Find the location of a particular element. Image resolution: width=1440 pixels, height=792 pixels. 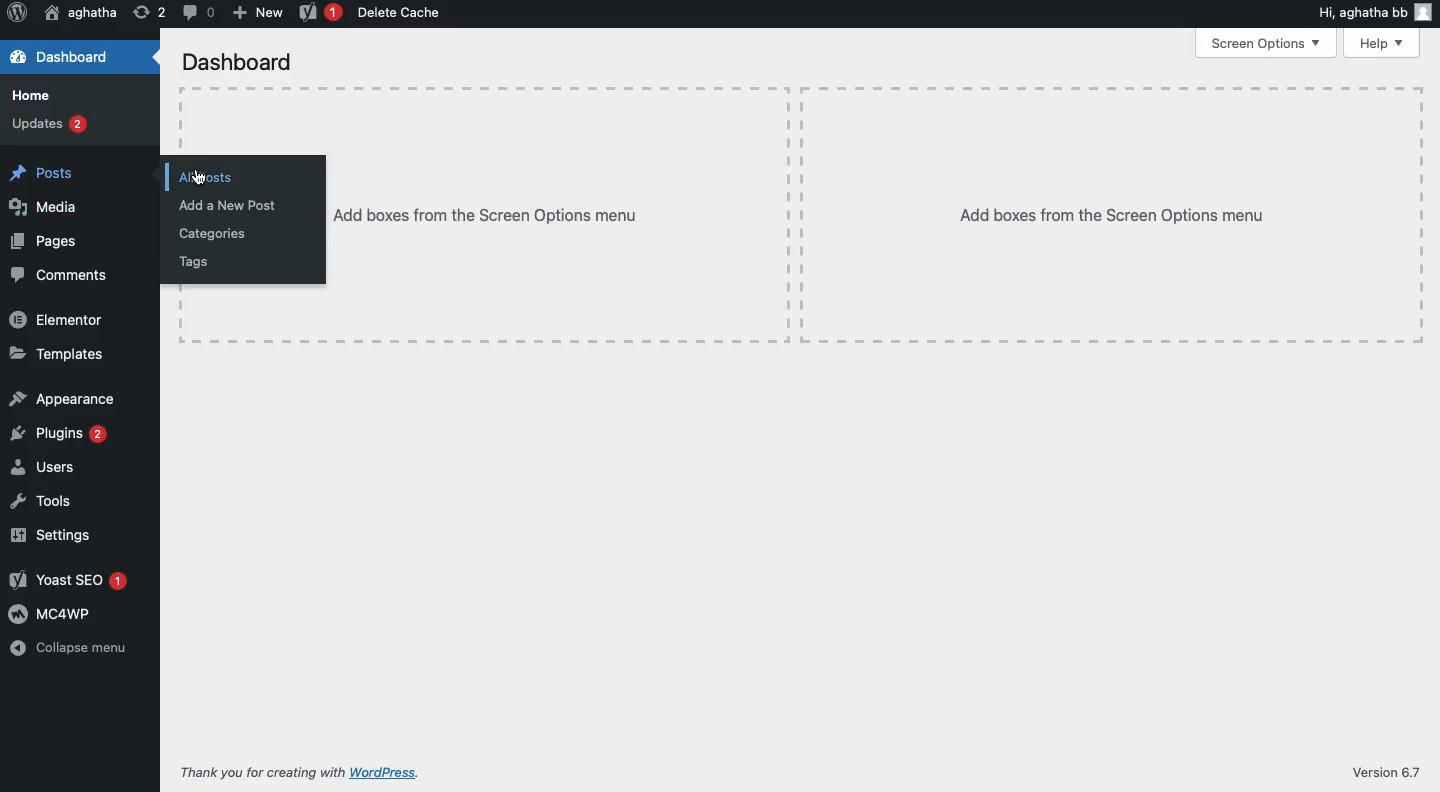

Comments is located at coordinates (62, 274).